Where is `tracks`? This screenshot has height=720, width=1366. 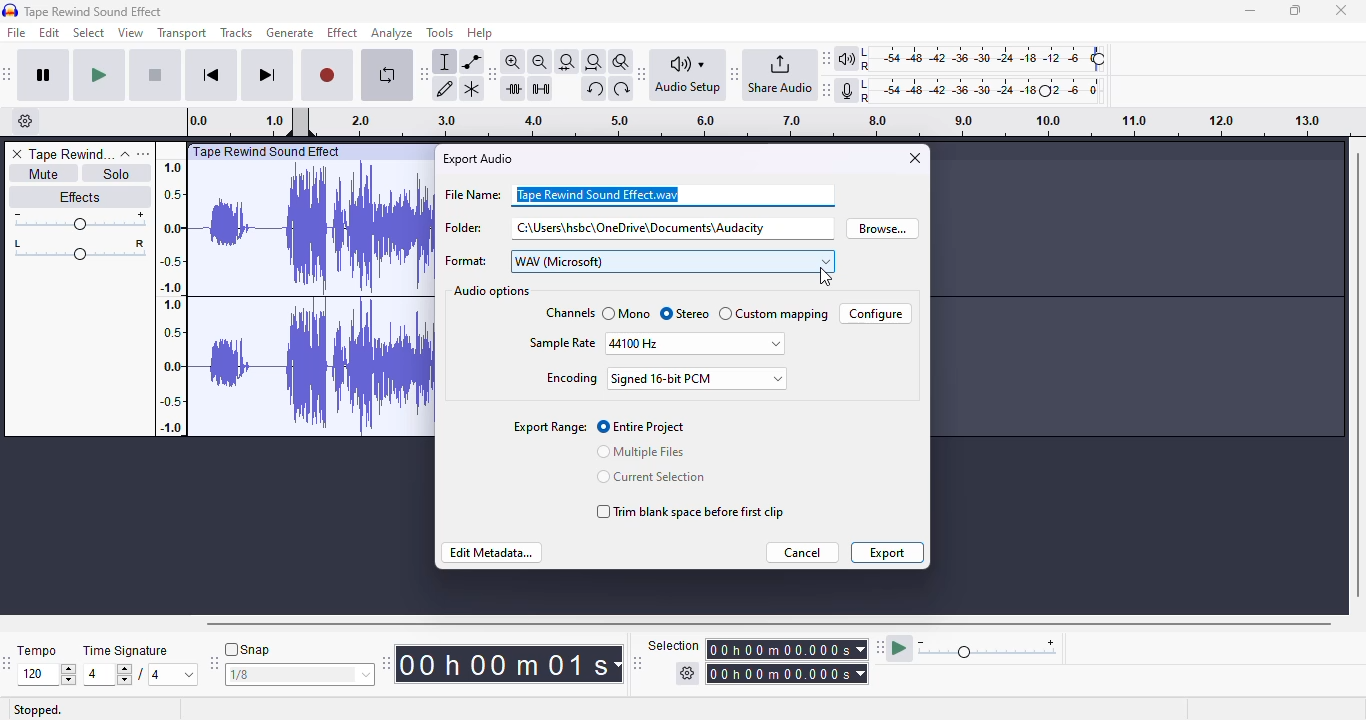
tracks is located at coordinates (236, 33).